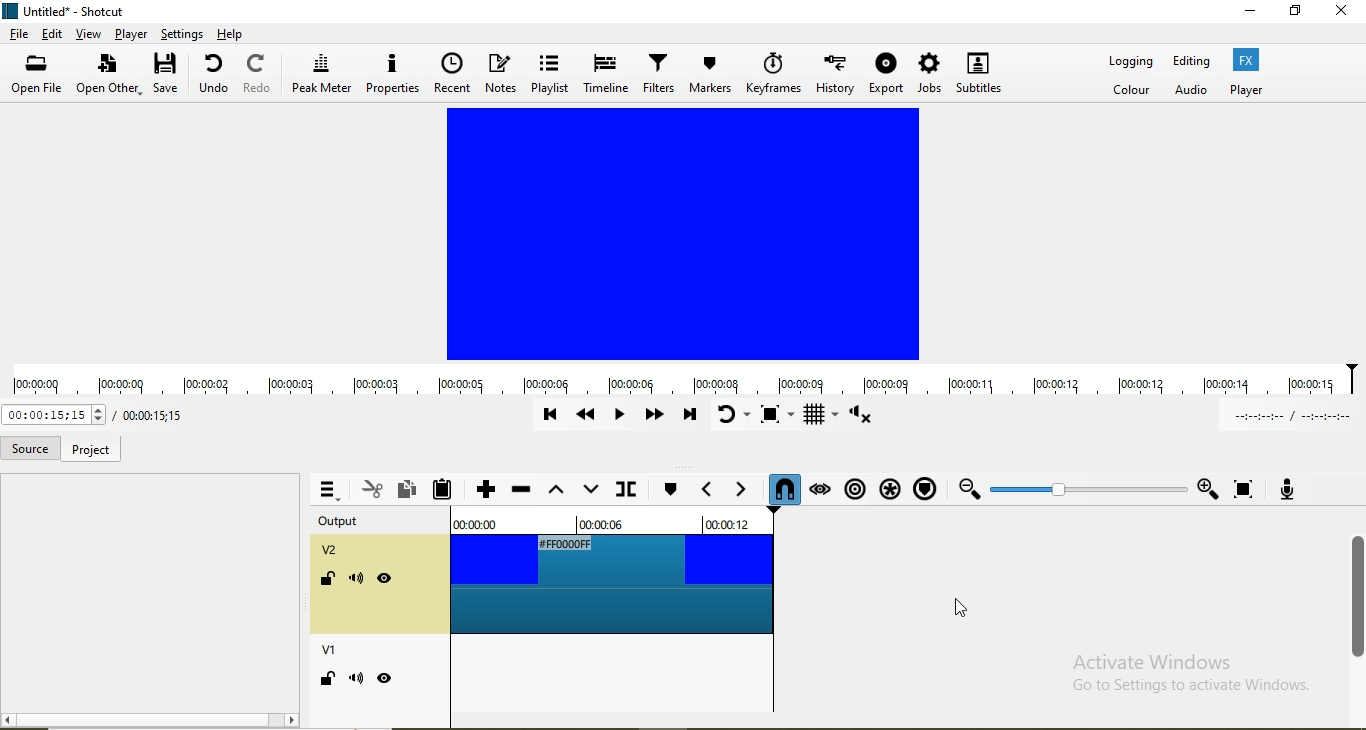  Describe the element at coordinates (656, 72) in the screenshot. I see `filters` at that location.